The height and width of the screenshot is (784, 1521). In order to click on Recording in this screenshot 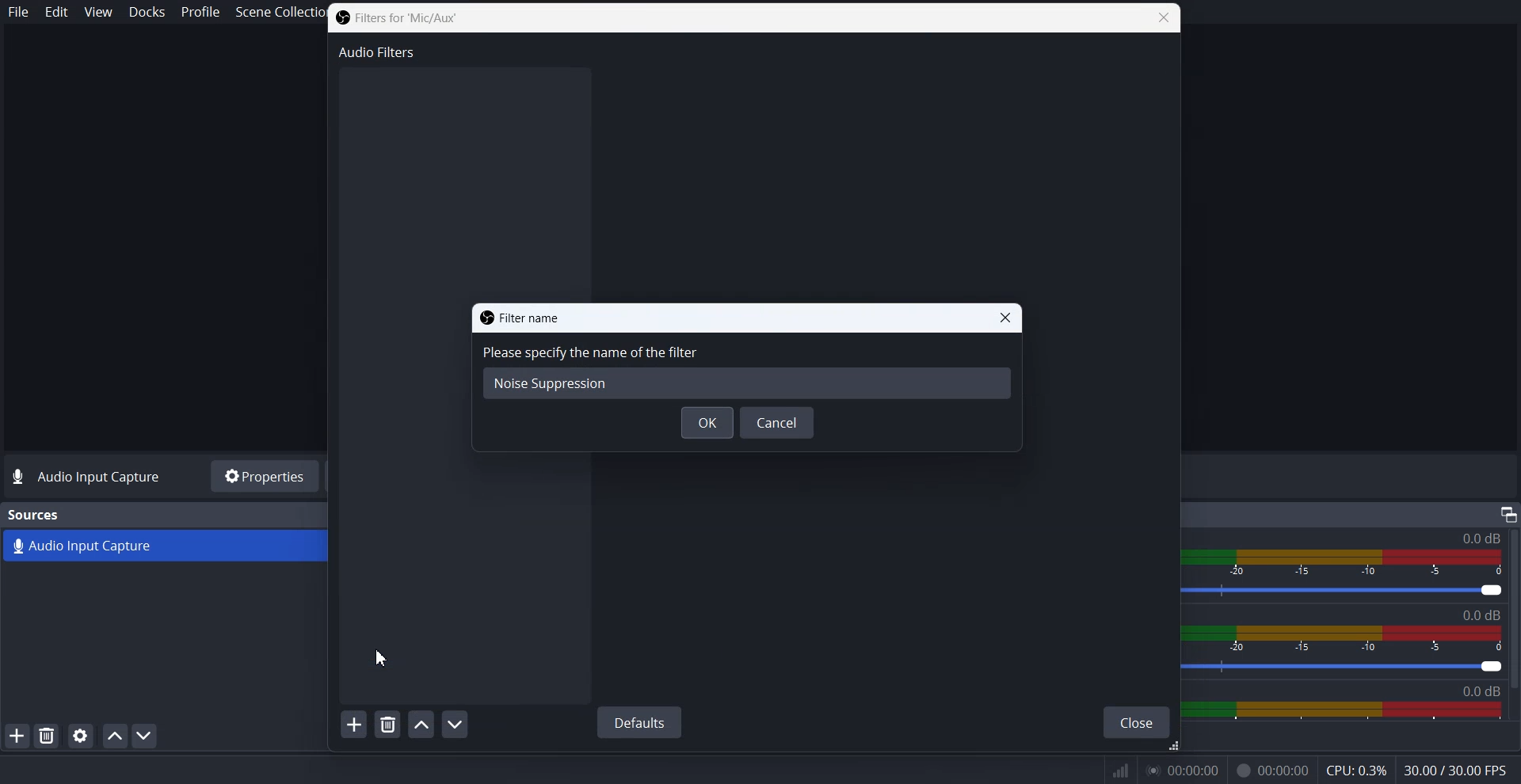, I will do `click(1272, 771)`.